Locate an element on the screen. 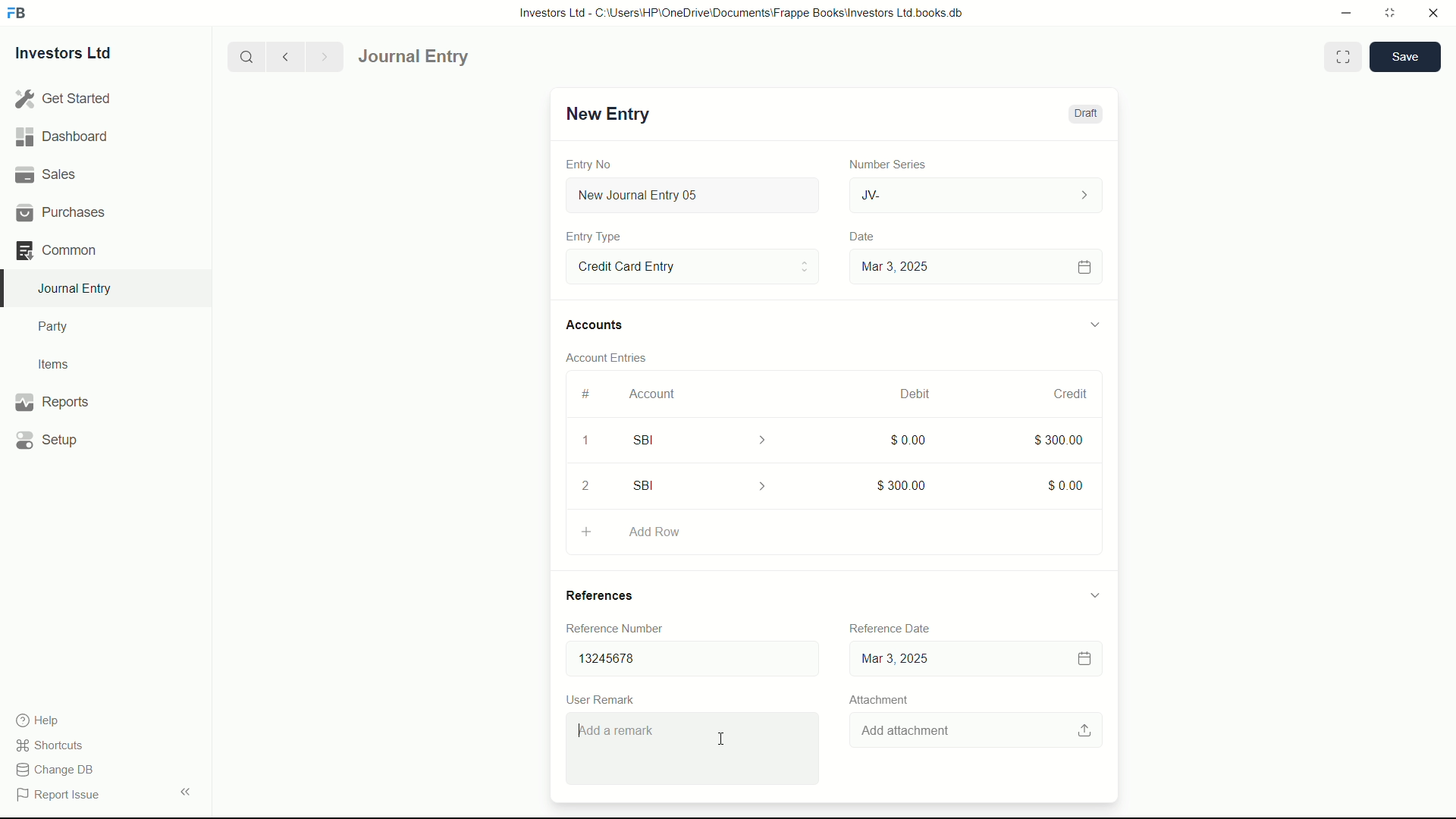 This screenshot has height=819, width=1456. shortcuts is located at coordinates (53, 745).